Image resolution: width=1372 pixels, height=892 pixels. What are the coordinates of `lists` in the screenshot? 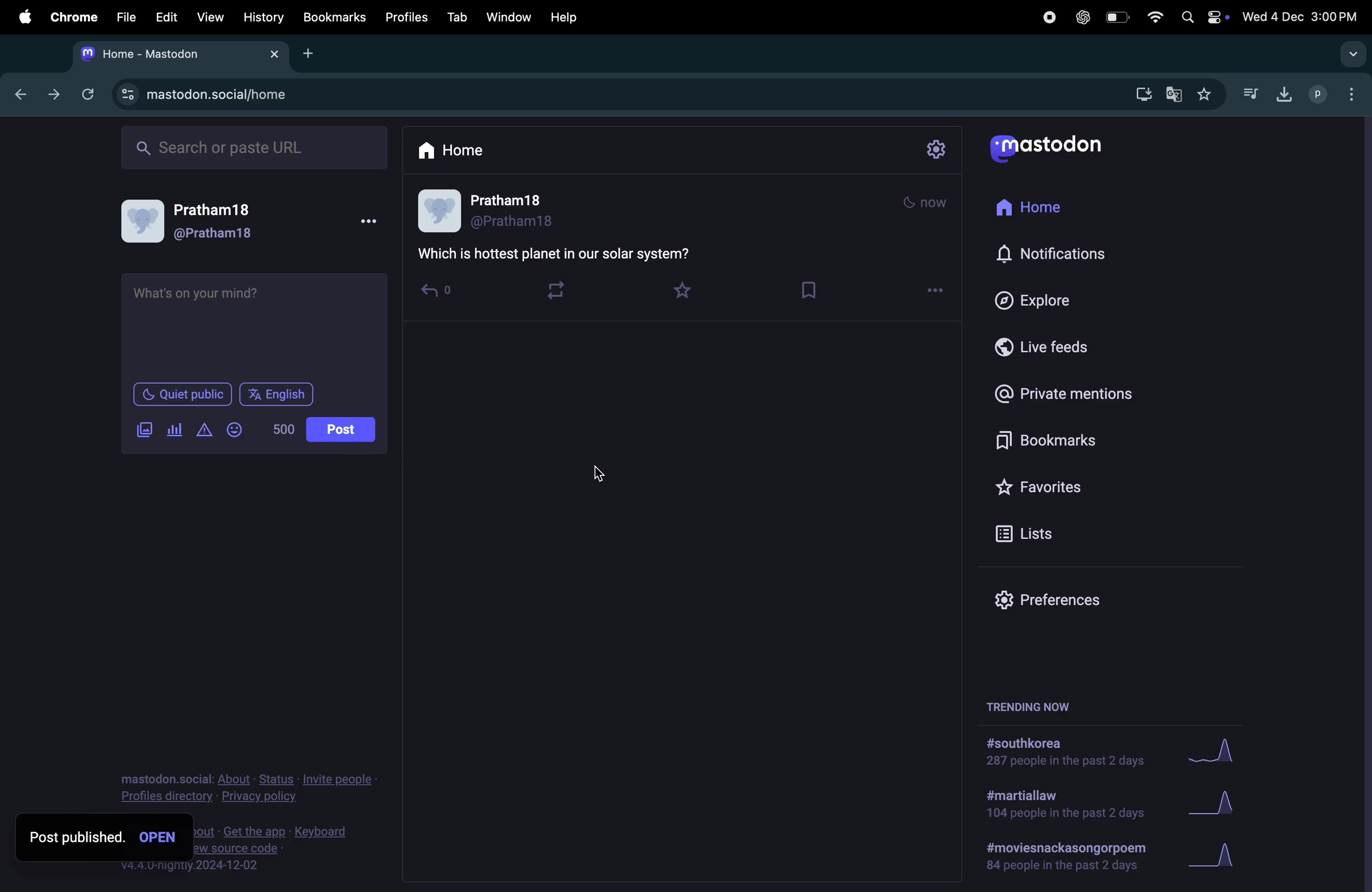 It's located at (1034, 531).